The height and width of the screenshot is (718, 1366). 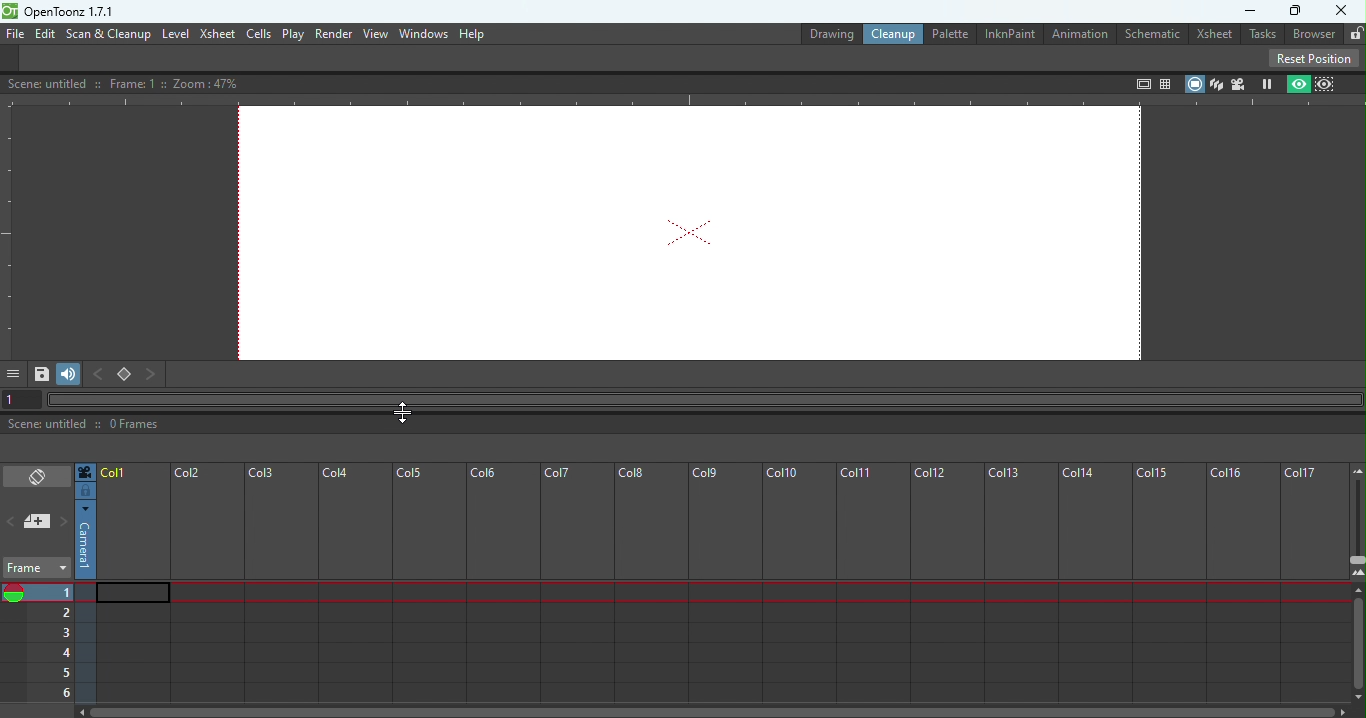 What do you see at coordinates (700, 401) in the screenshot?
I see `Horizontal scroll bar"` at bounding box center [700, 401].